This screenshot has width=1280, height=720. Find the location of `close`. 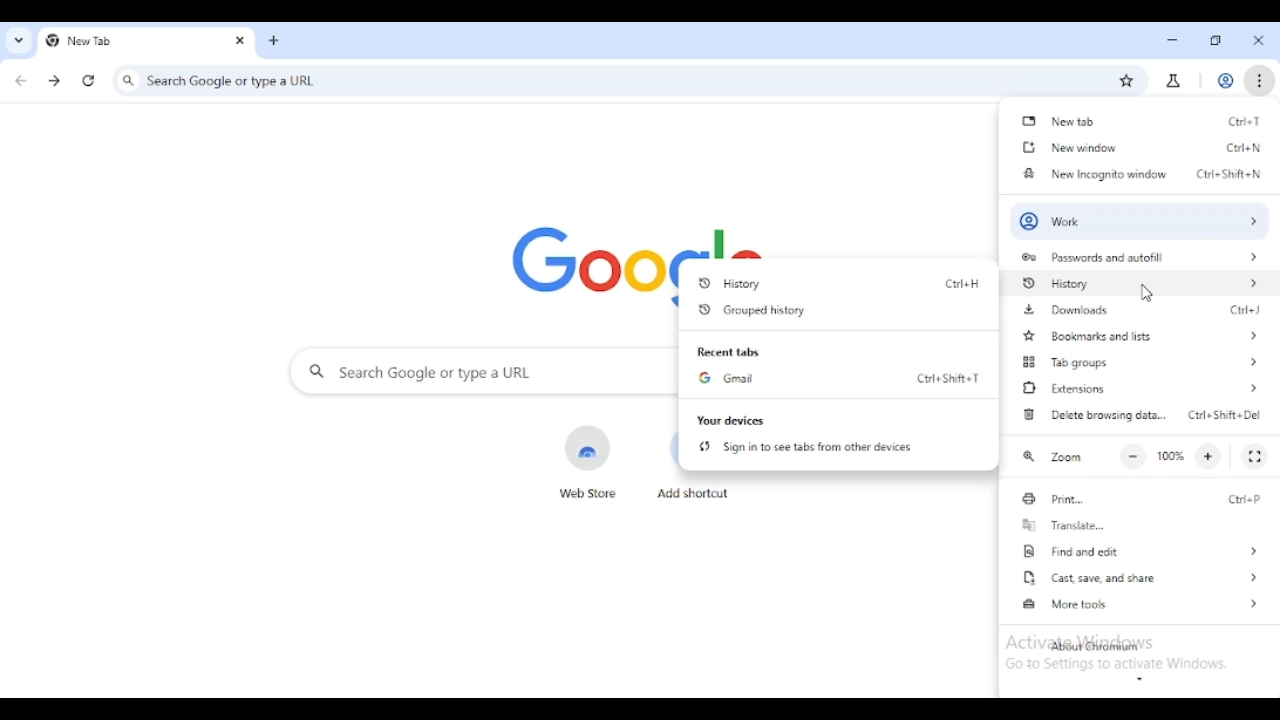

close is located at coordinates (1259, 40).